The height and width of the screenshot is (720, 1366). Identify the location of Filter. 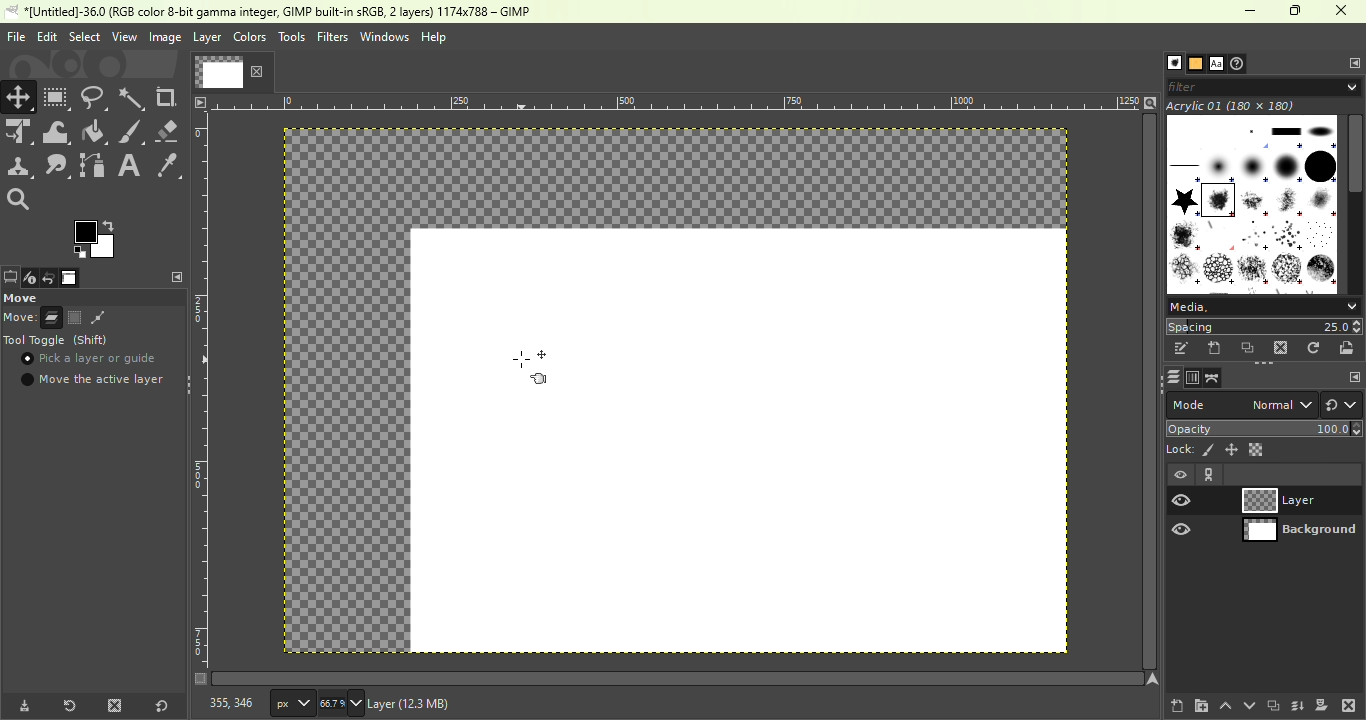
(1266, 86).